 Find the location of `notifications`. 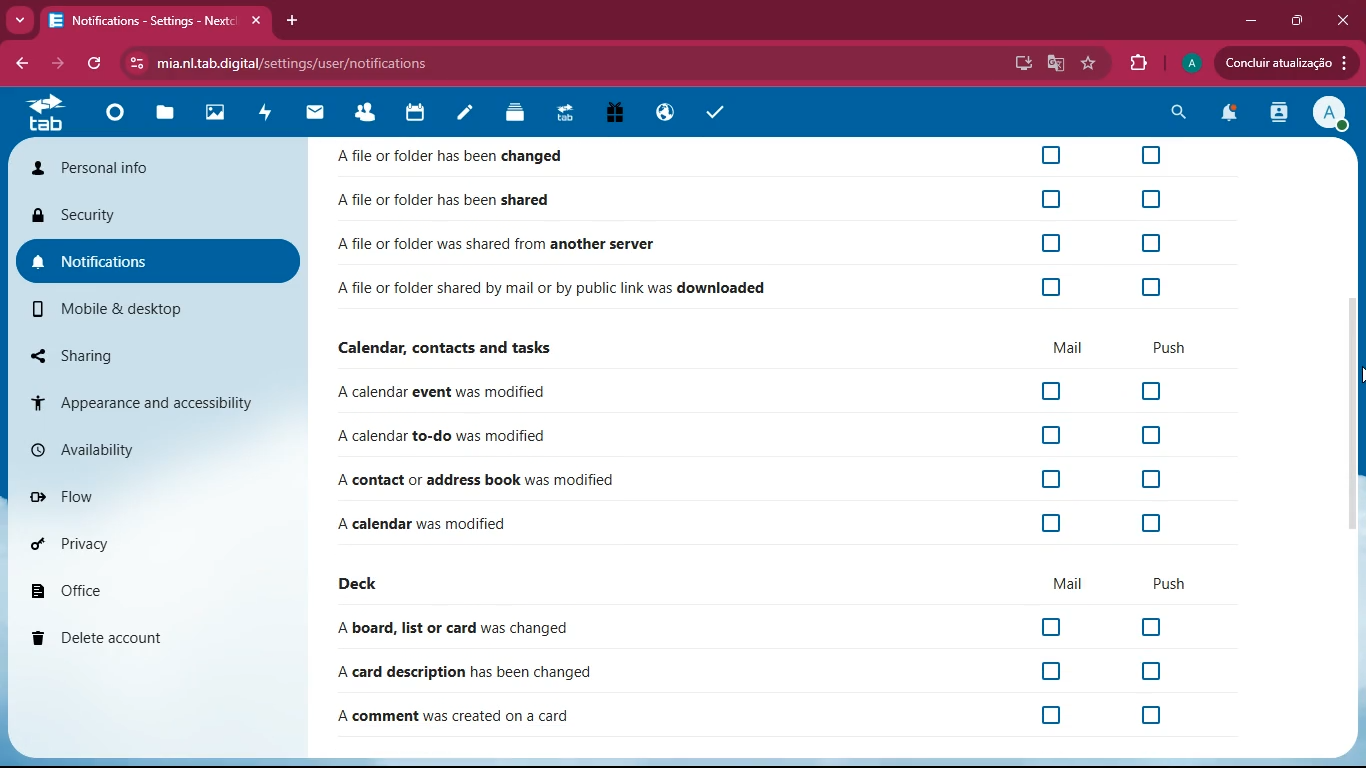

notifications is located at coordinates (149, 264).